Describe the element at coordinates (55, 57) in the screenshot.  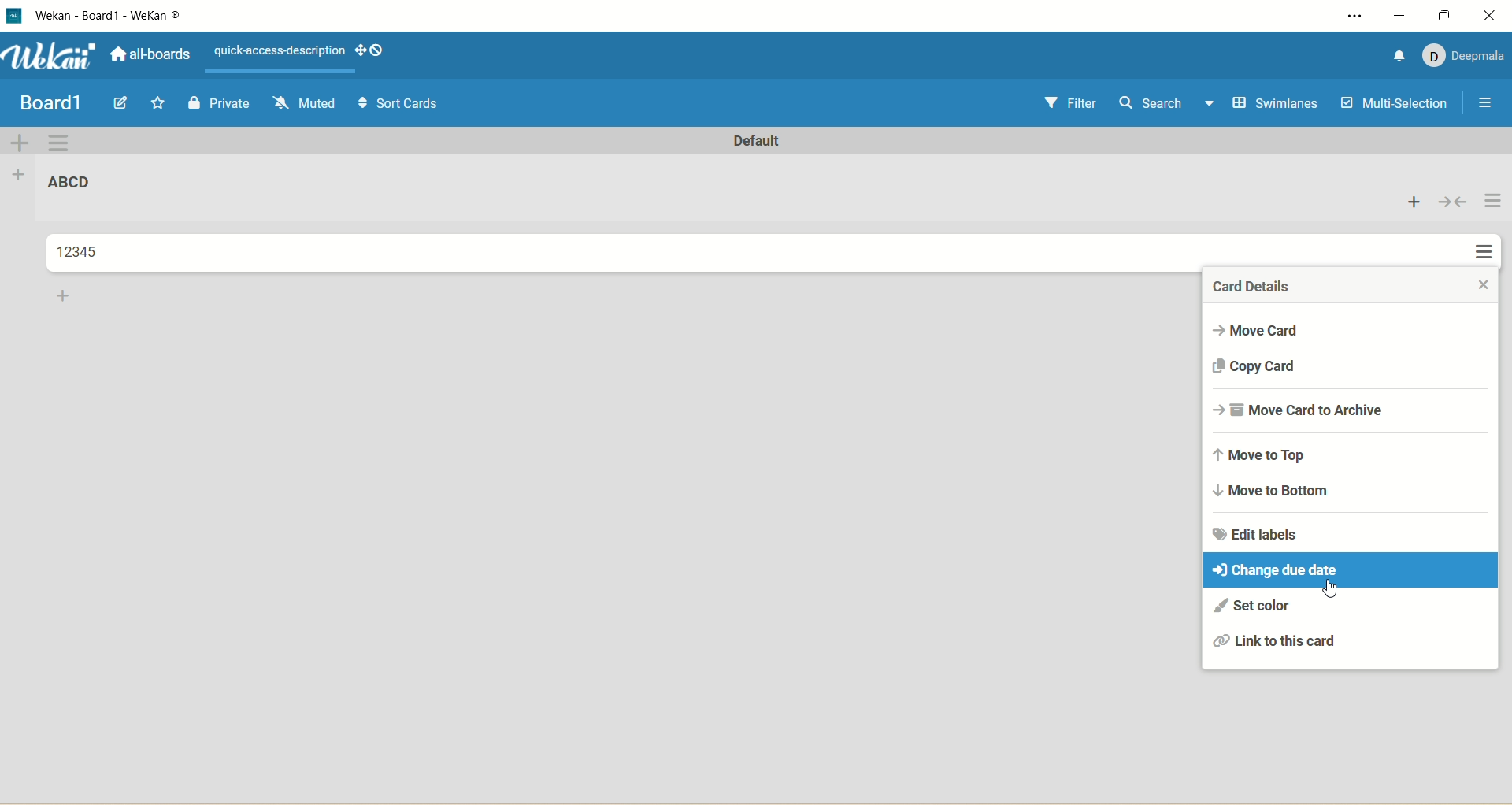
I see `wekan` at that location.